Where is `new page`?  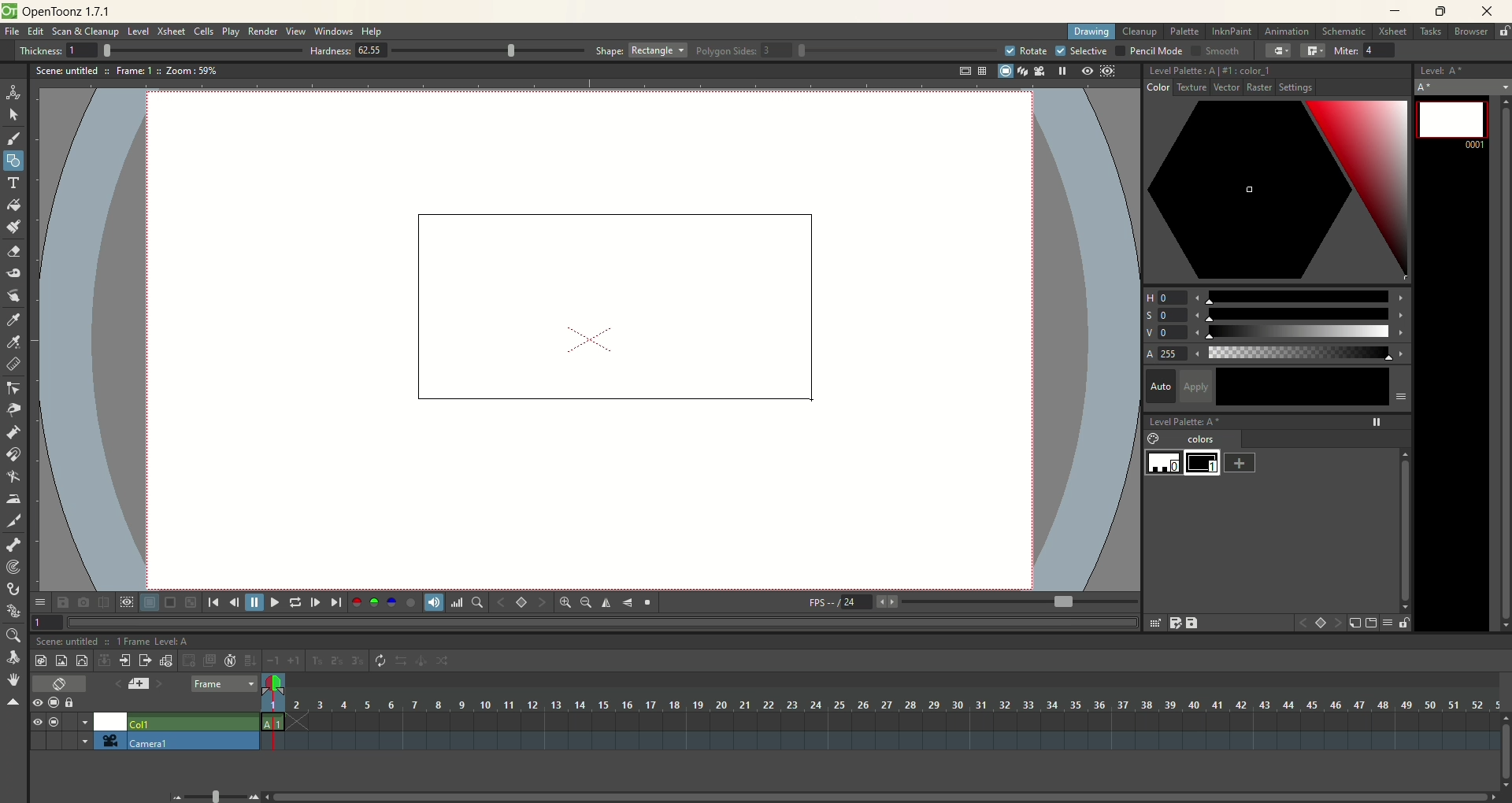
new page is located at coordinates (1369, 624).